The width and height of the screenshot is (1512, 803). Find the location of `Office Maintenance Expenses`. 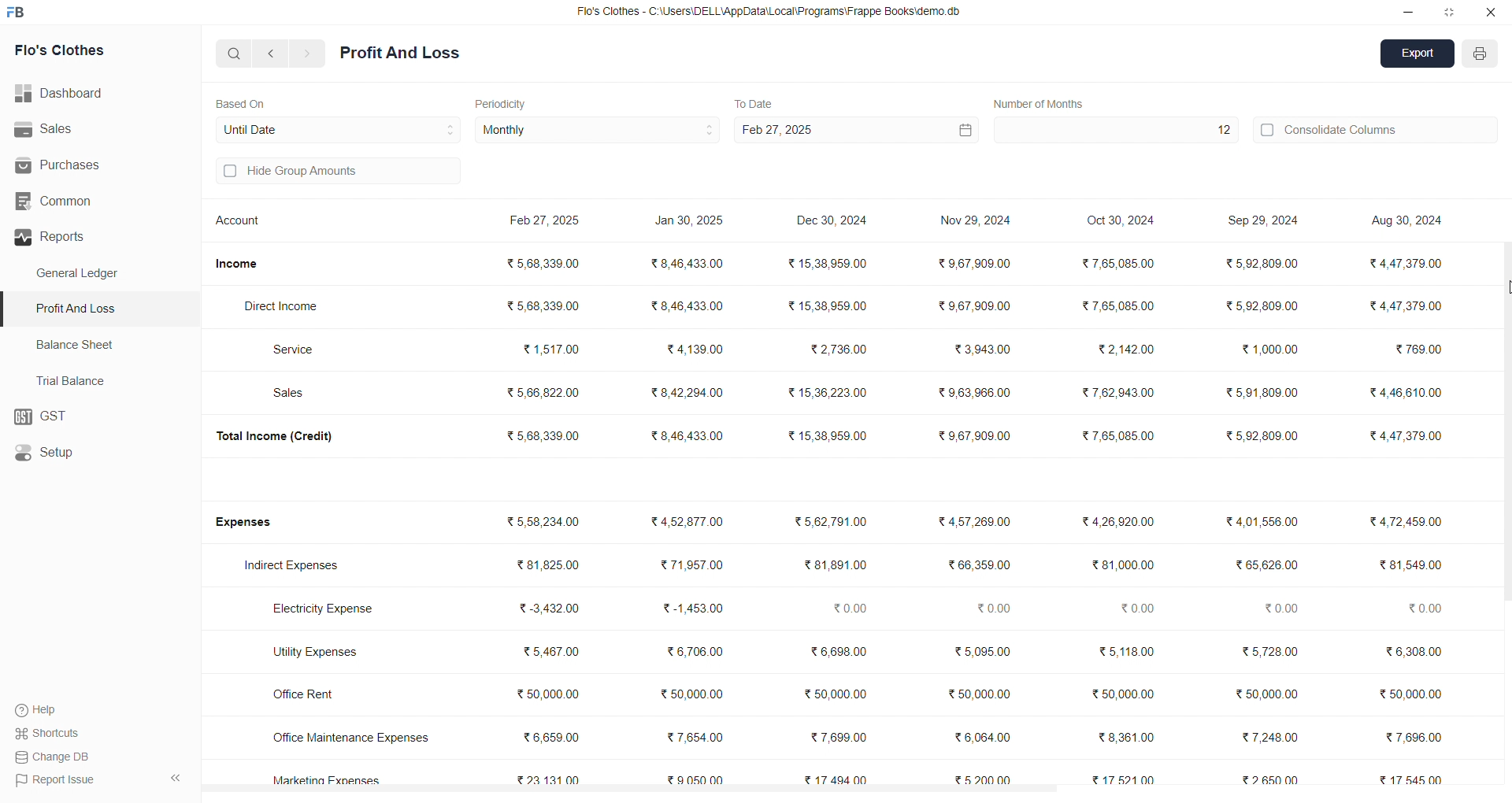

Office Maintenance Expenses is located at coordinates (351, 737).